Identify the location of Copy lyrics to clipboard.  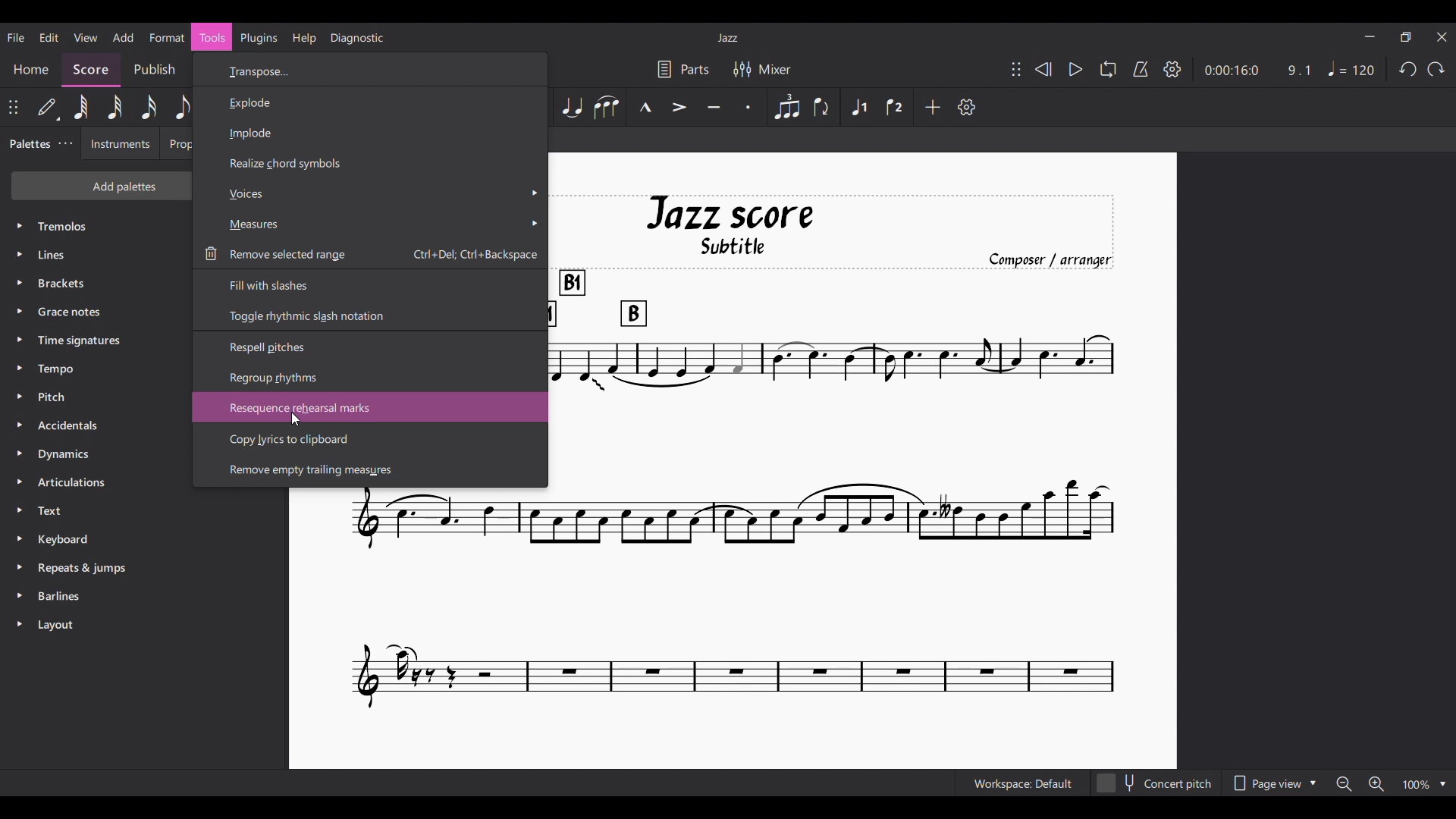
(371, 440).